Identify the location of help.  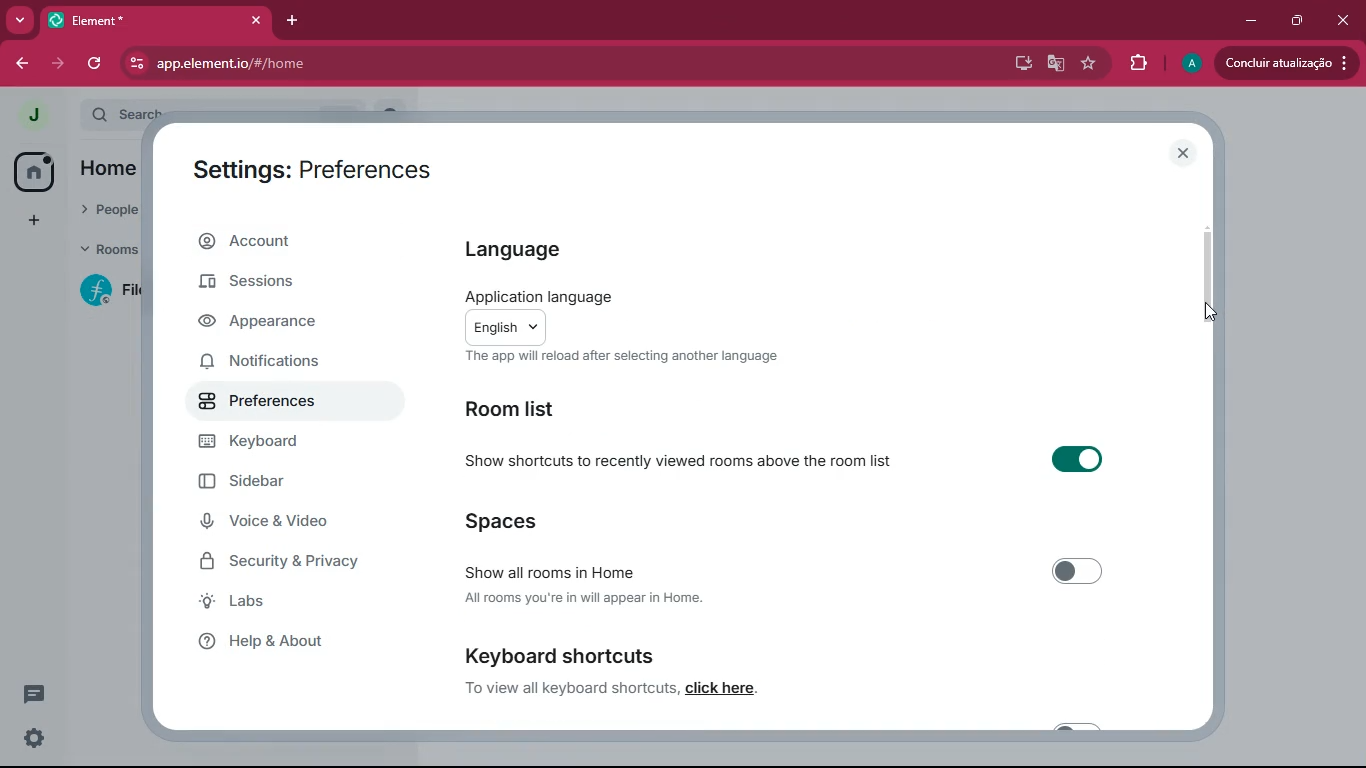
(283, 645).